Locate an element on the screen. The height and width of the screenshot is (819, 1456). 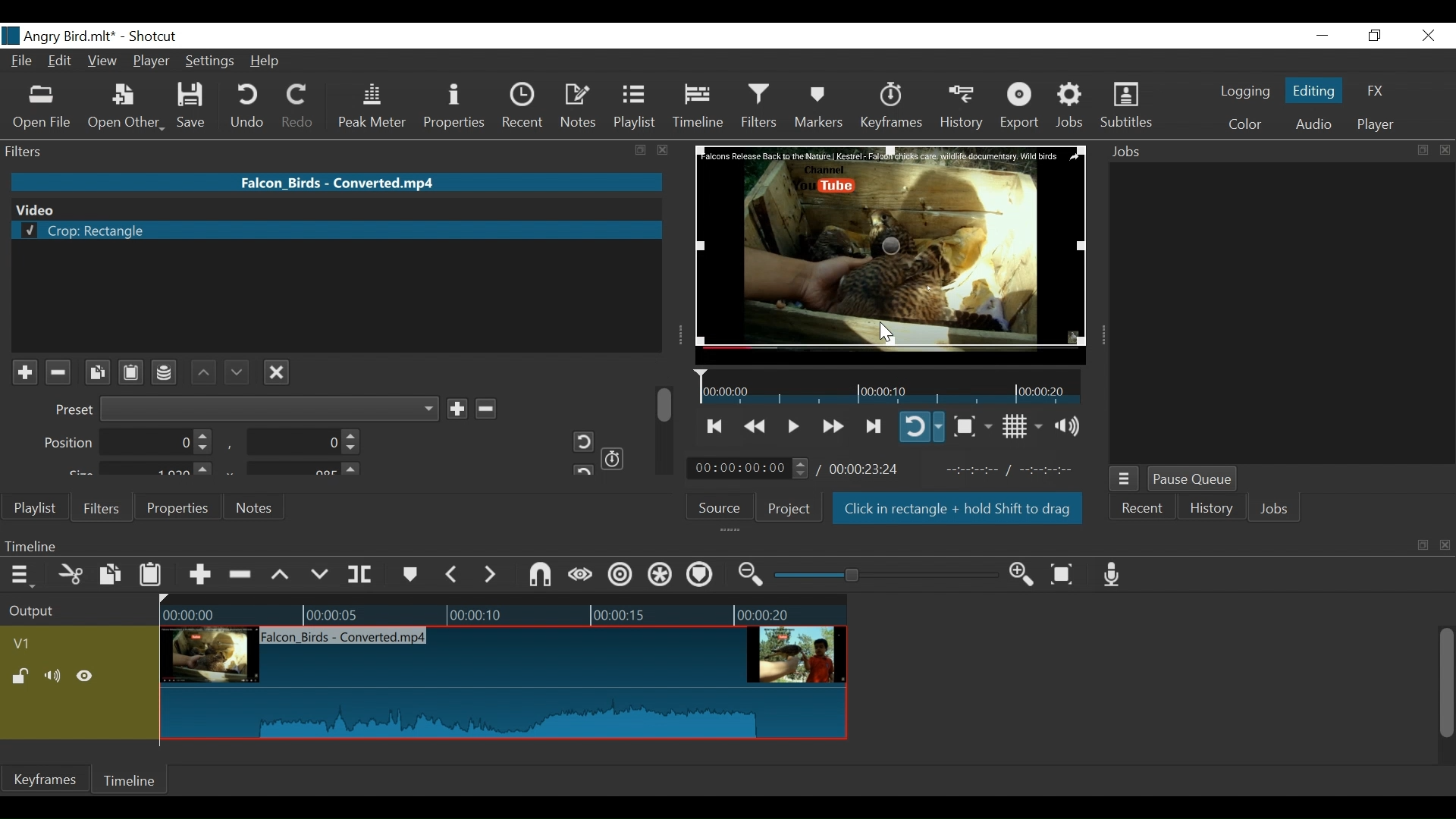
History is located at coordinates (1212, 510).